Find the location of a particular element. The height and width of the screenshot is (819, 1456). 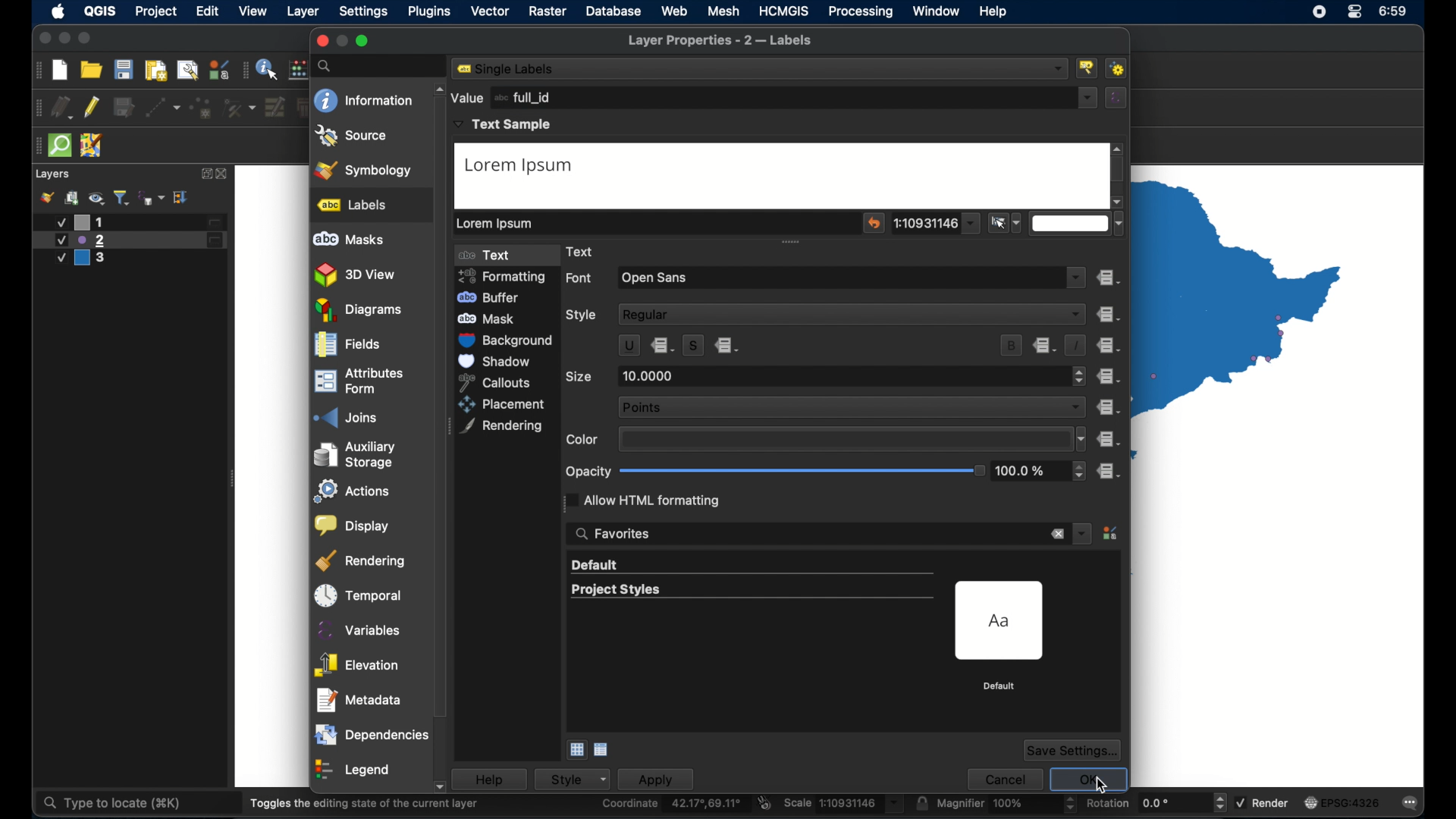

rendering is located at coordinates (502, 427).